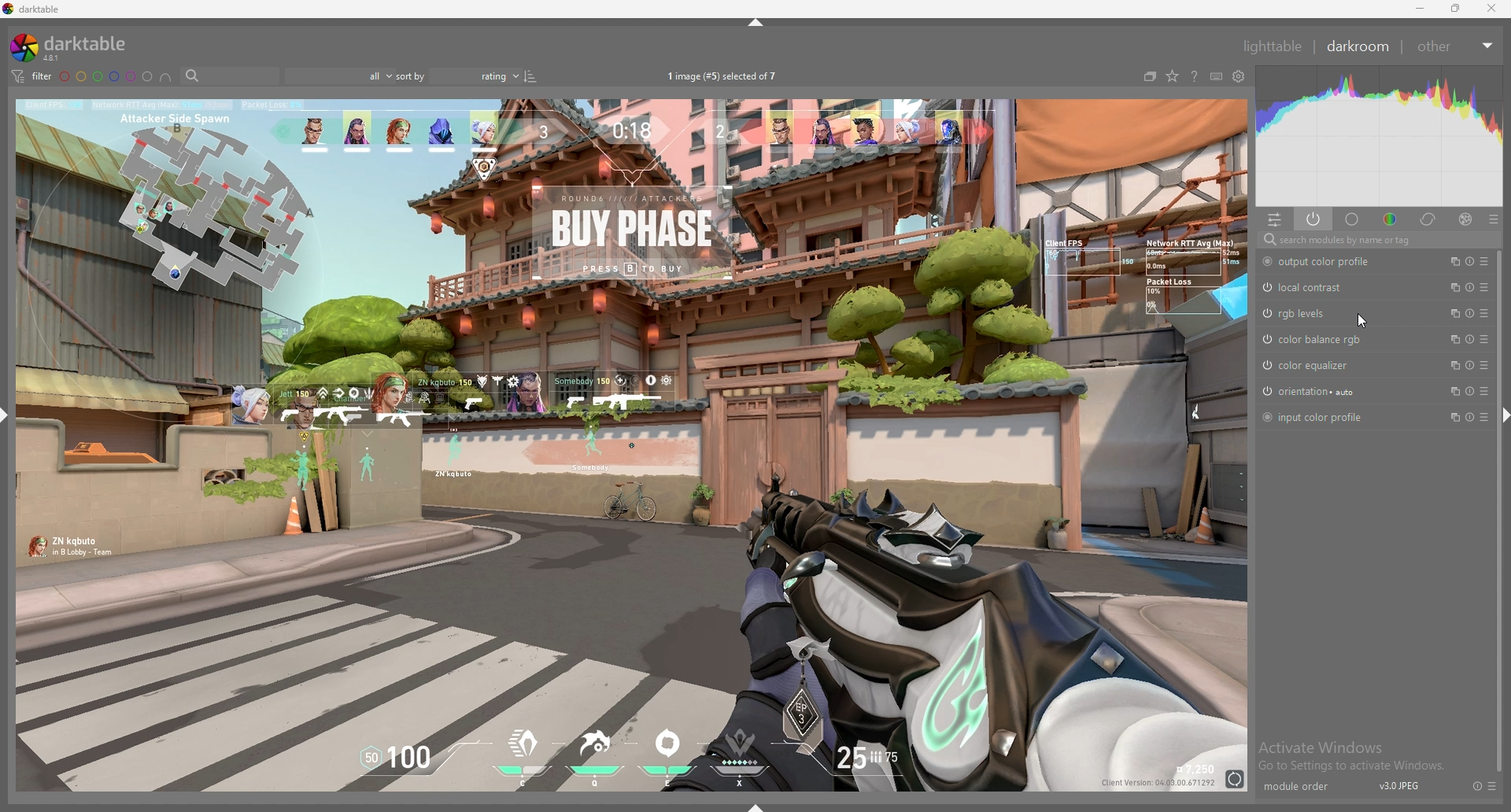 The width and height of the screenshot is (1511, 812). Describe the element at coordinates (1315, 287) in the screenshot. I see `local contrast` at that location.